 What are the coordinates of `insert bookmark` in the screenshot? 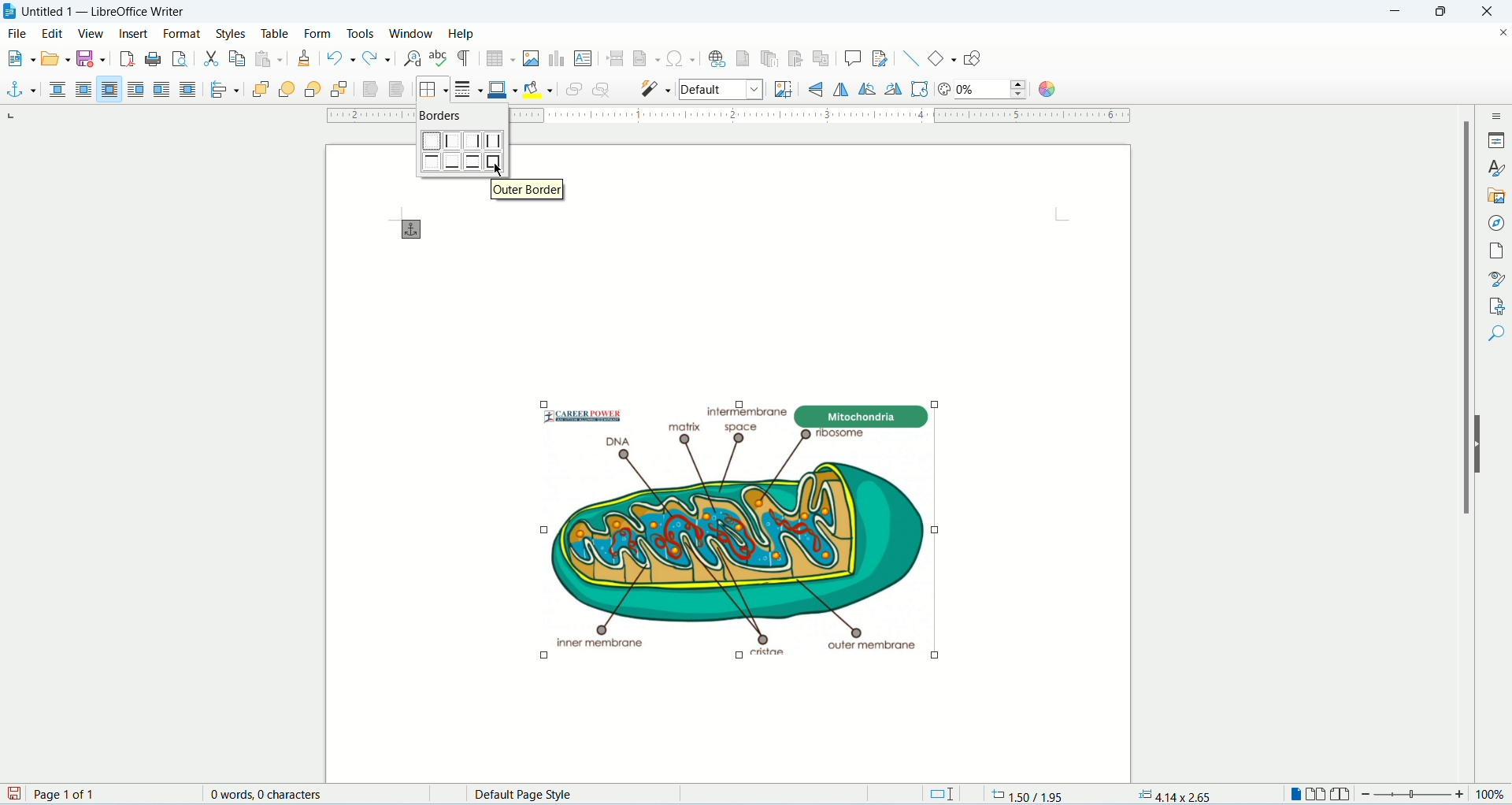 It's located at (795, 58).